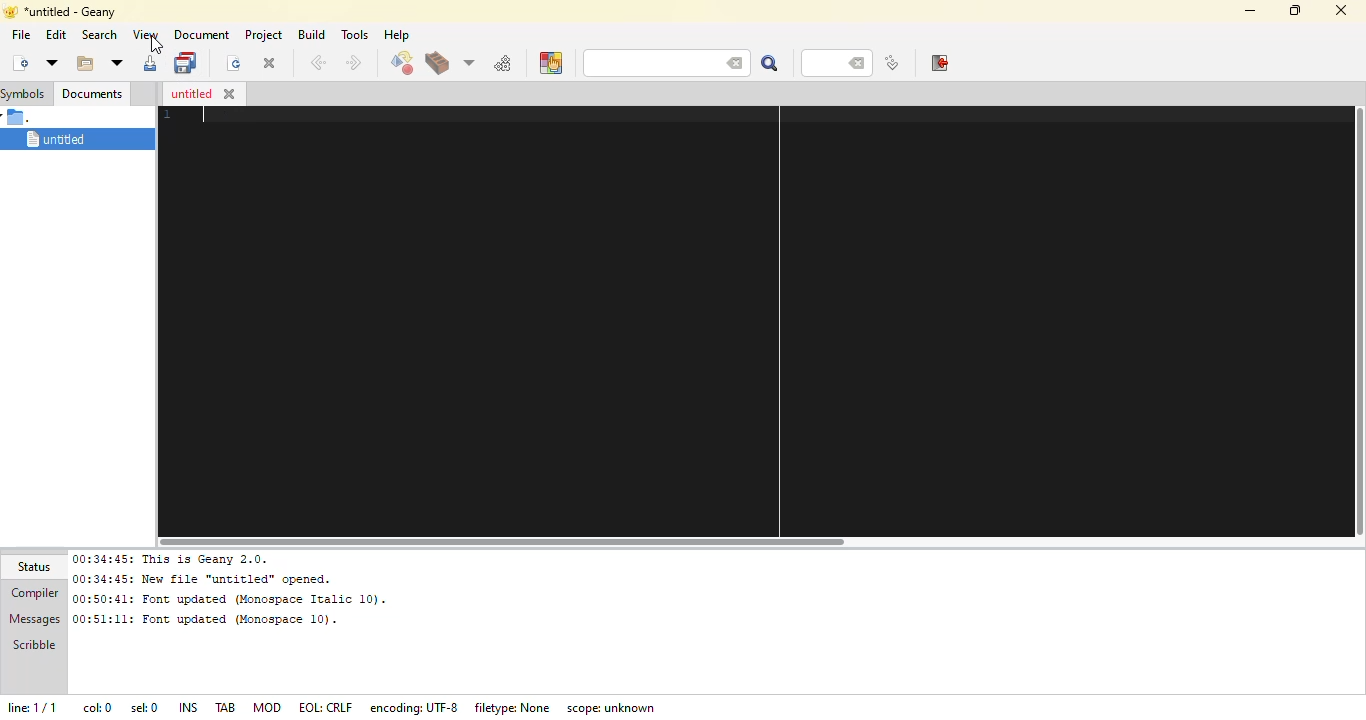  Describe the element at coordinates (91, 92) in the screenshot. I see `documents` at that location.